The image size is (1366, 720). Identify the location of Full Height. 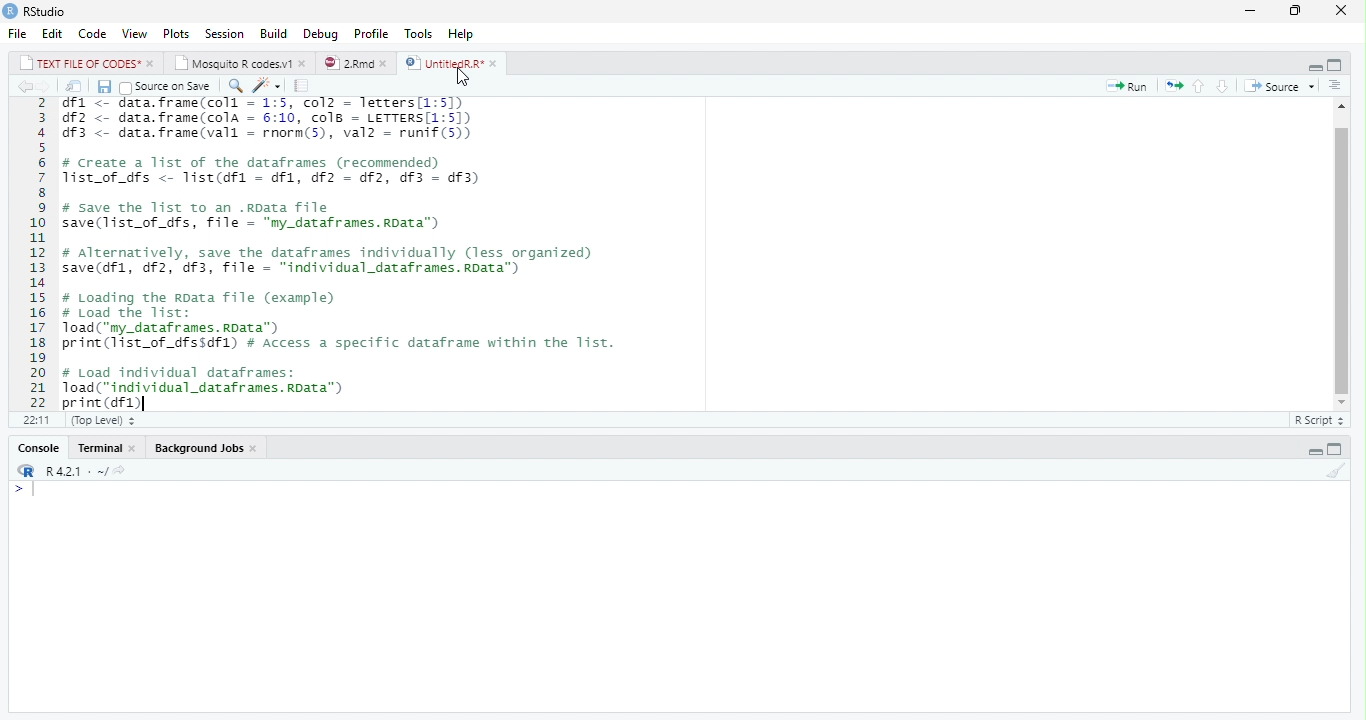
(1337, 449).